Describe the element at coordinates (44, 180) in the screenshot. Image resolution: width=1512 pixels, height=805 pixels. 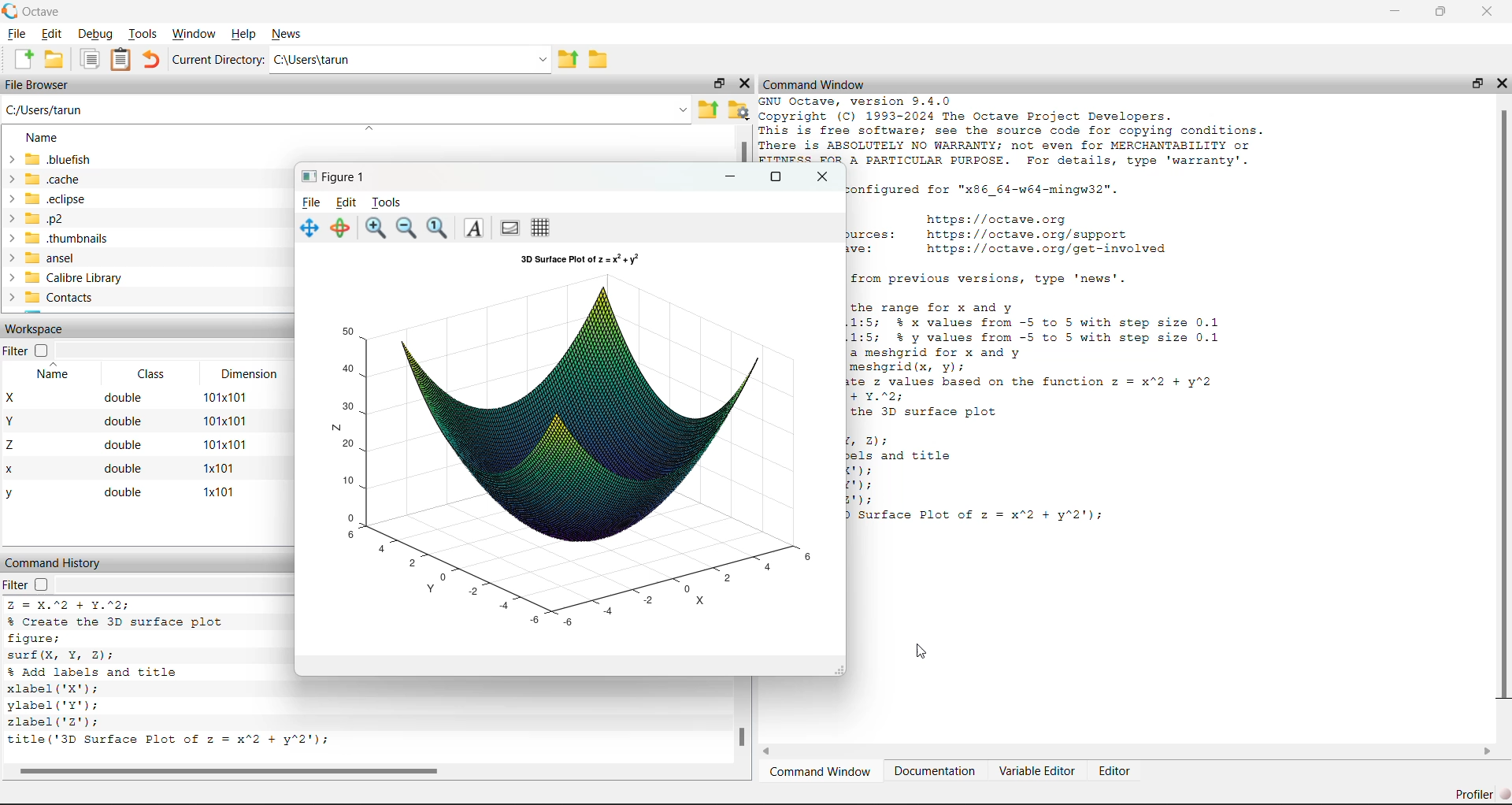
I see `.cache` at that location.